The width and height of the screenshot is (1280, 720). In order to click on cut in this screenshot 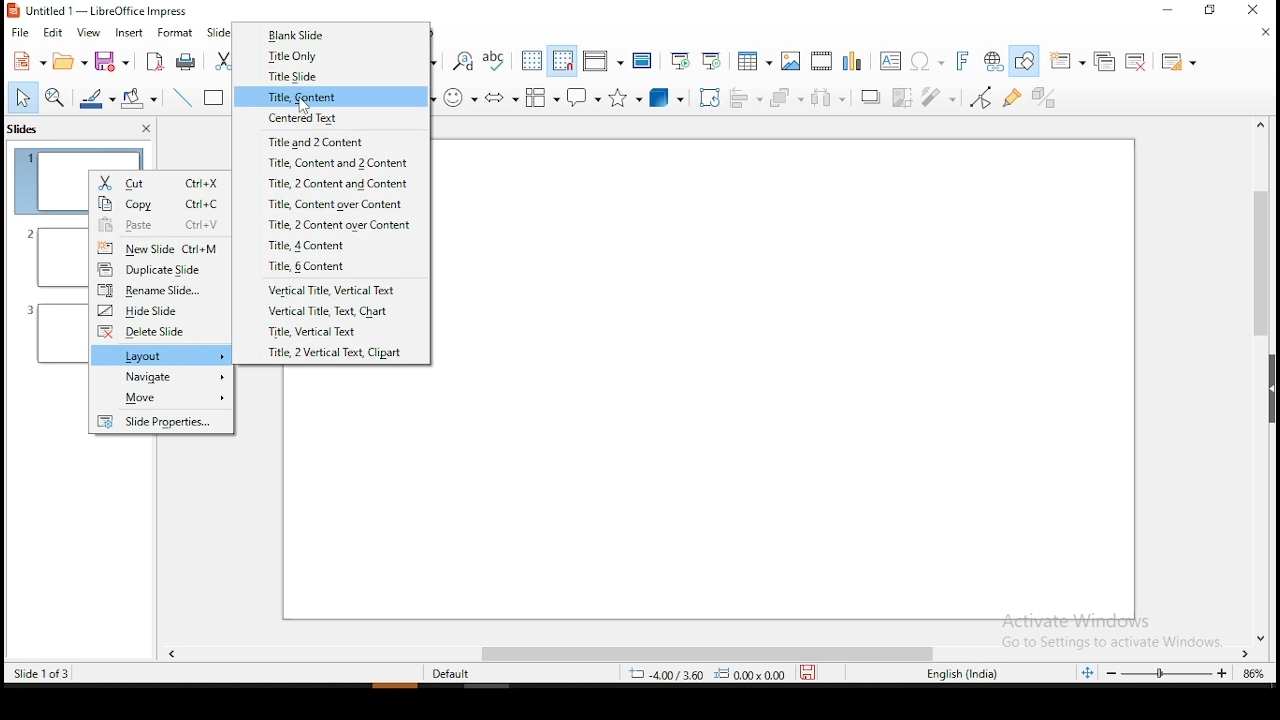, I will do `click(162, 180)`.